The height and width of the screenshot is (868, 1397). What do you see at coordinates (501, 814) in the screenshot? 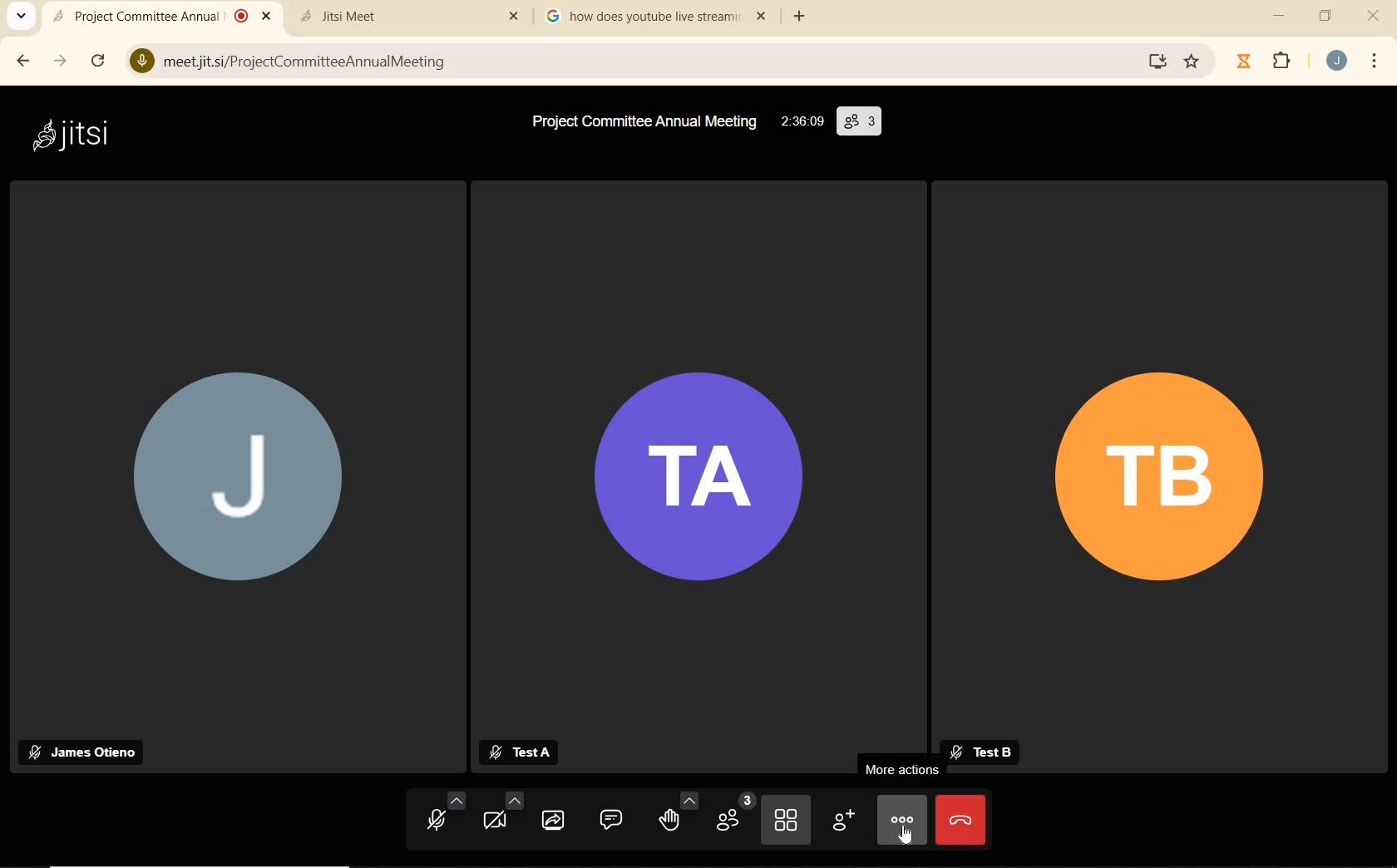
I see `CAMERA` at bounding box center [501, 814].